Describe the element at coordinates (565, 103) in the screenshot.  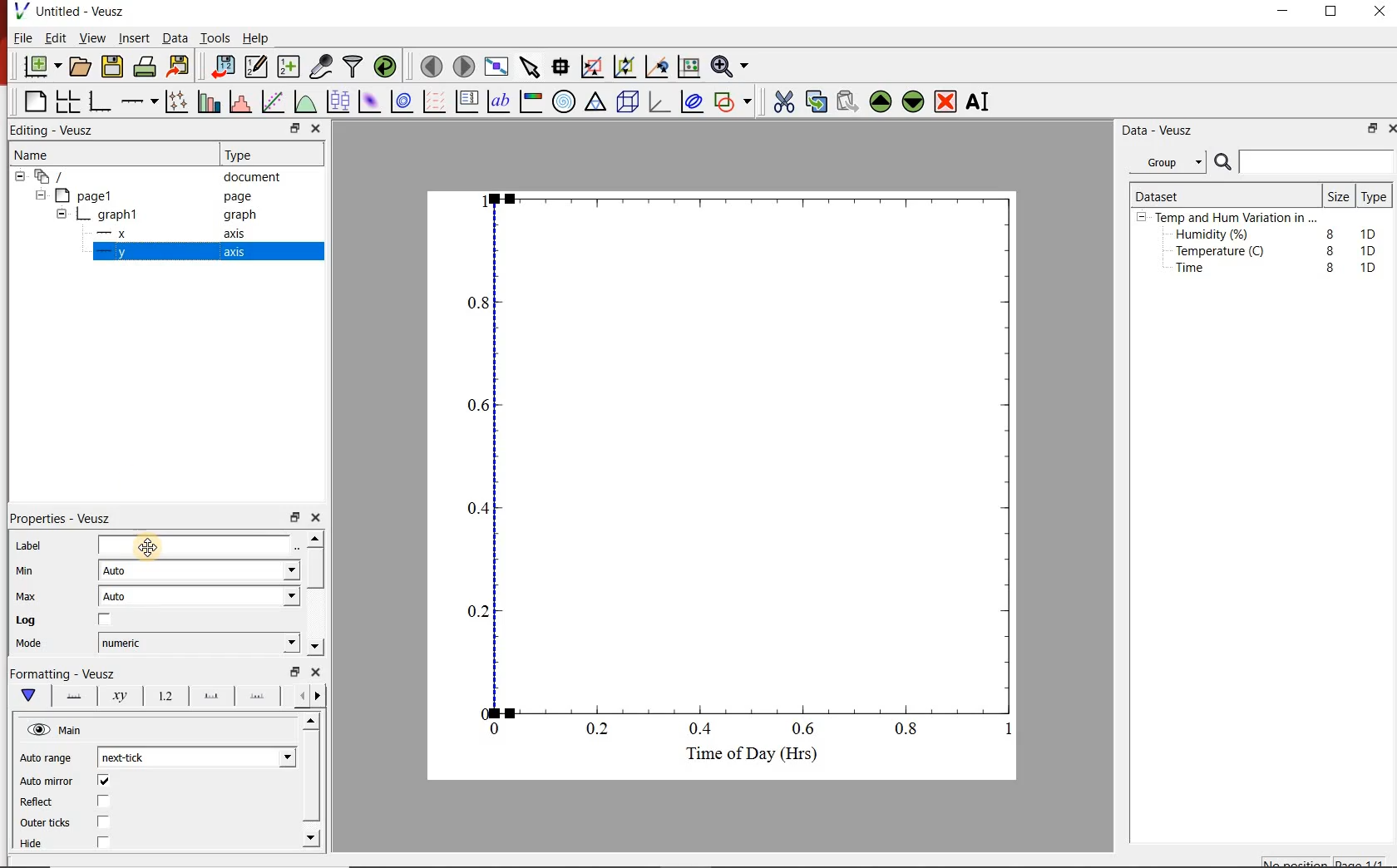
I see `polar graph` at that location.